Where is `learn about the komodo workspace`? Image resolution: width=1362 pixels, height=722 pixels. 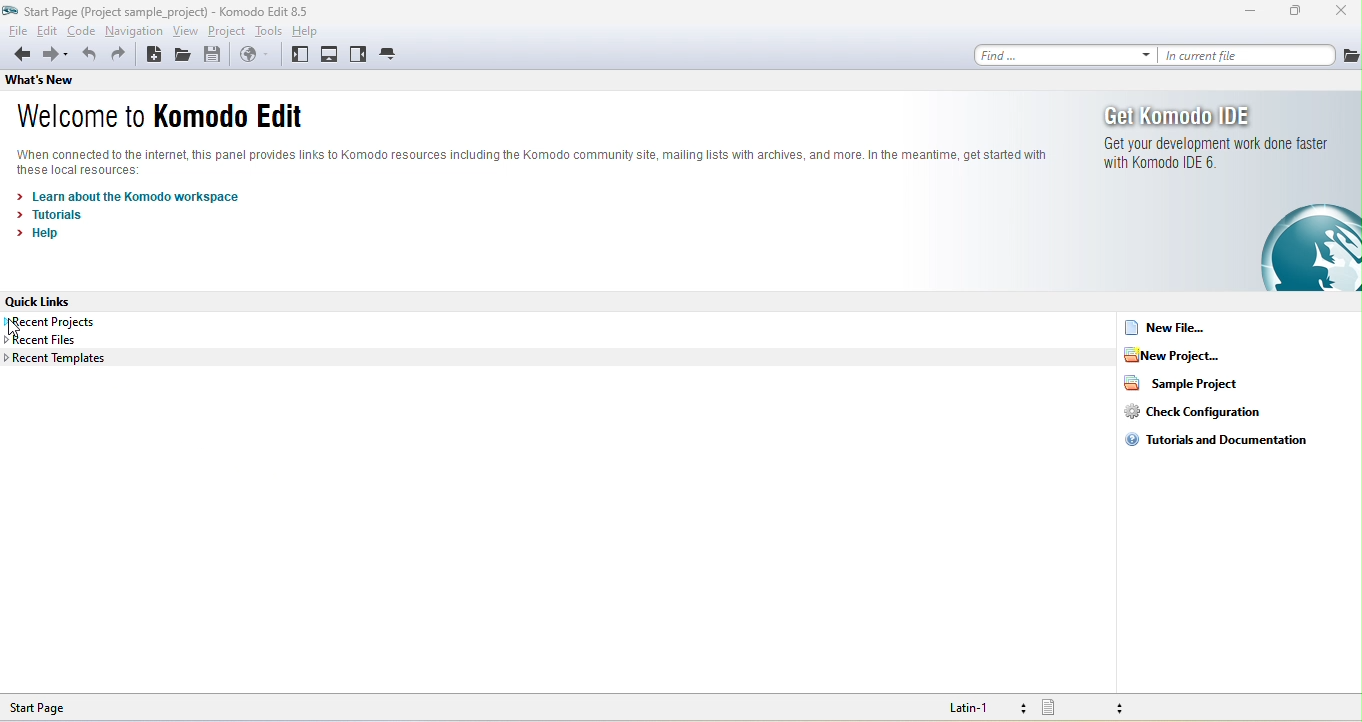 learn about the komodo workspace is located at coordinates (146, 196).